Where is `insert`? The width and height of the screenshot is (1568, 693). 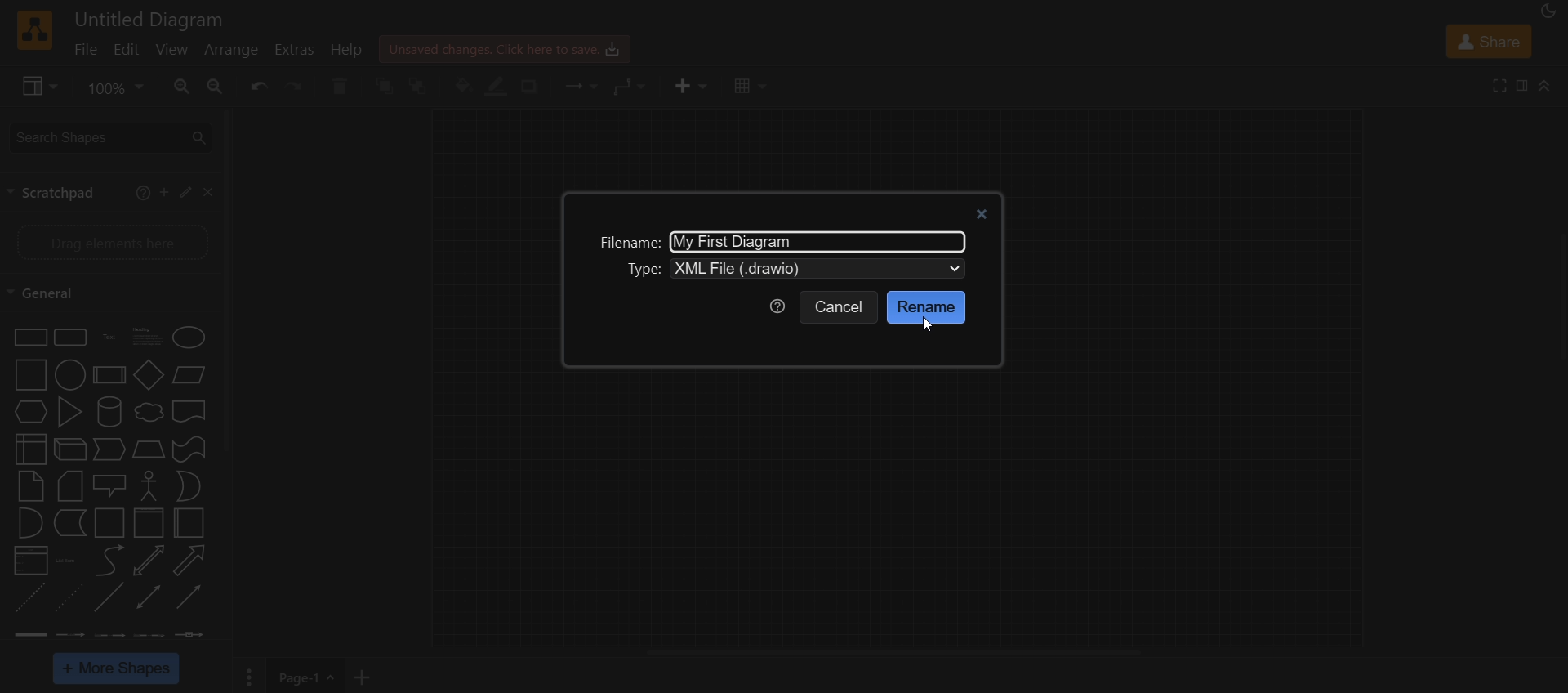
insert is located at coordinates (687, 86).